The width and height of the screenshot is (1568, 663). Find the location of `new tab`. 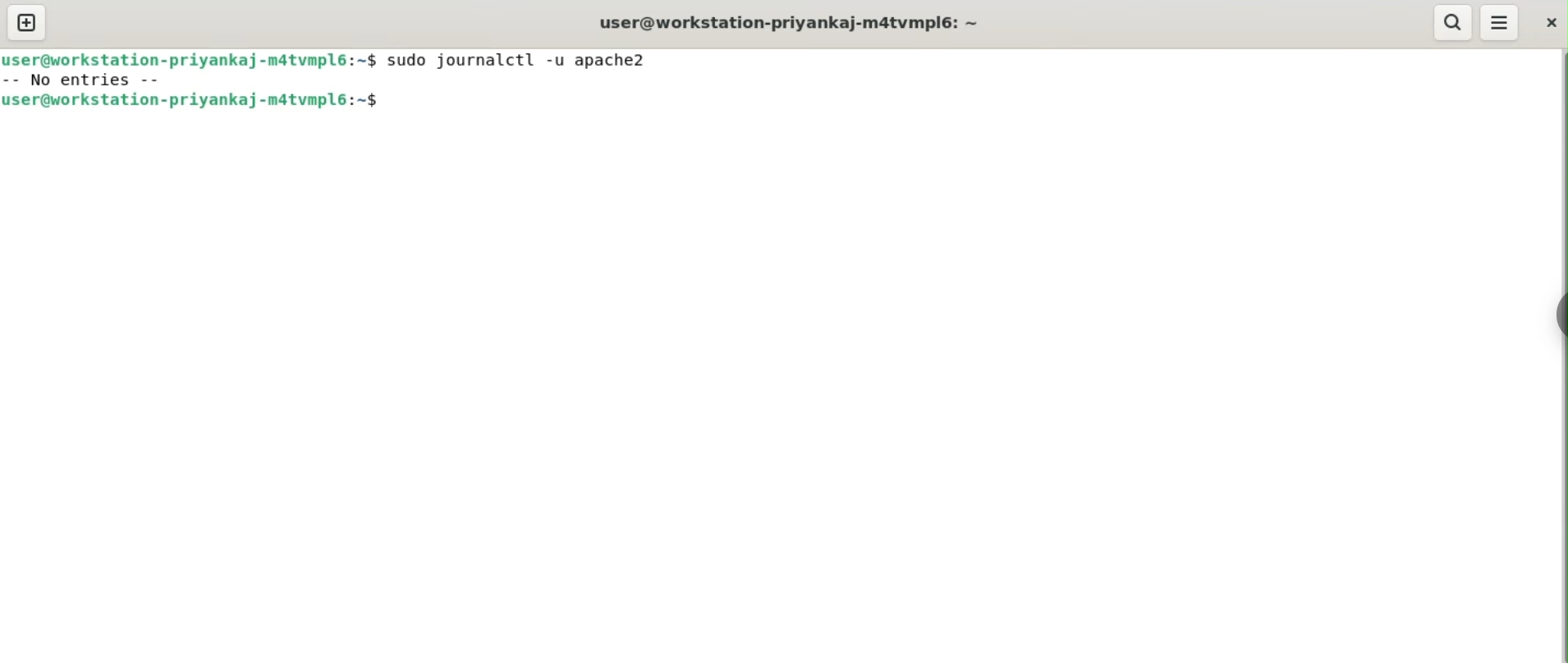

new tab is located at coordinates (25, 23).